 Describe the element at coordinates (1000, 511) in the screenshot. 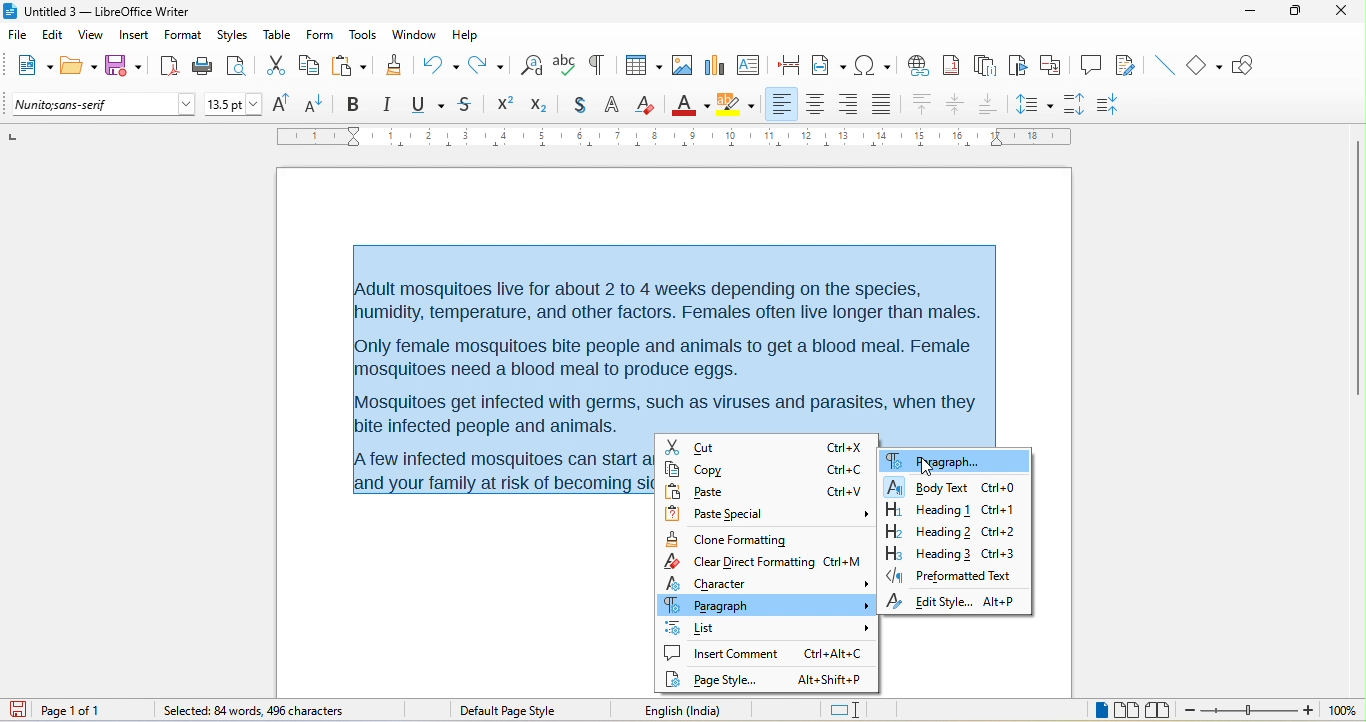

I see `shortcut key` at that location.